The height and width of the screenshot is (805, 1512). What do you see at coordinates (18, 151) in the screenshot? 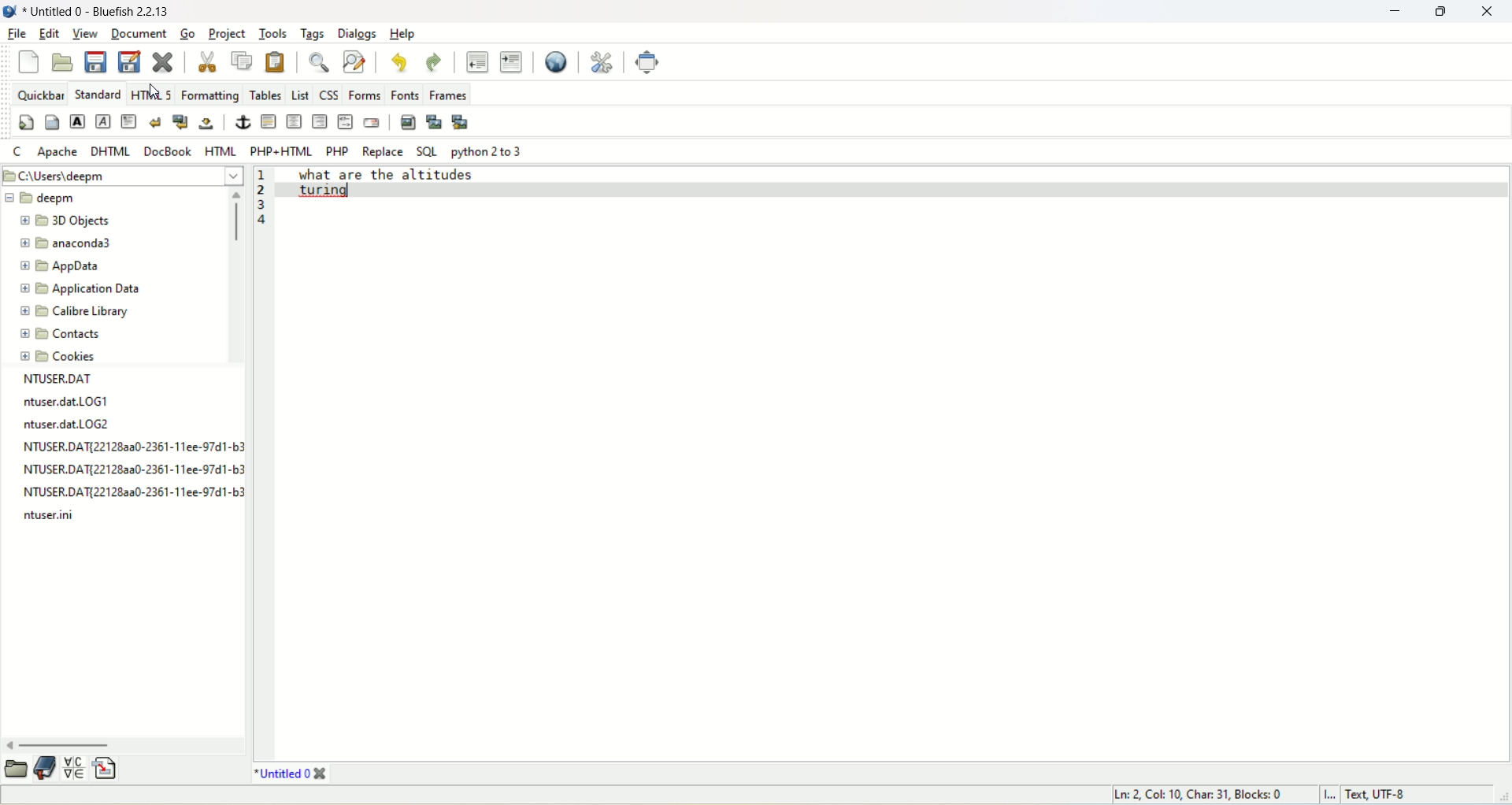
I see `C` at bounding box center [18, 151].